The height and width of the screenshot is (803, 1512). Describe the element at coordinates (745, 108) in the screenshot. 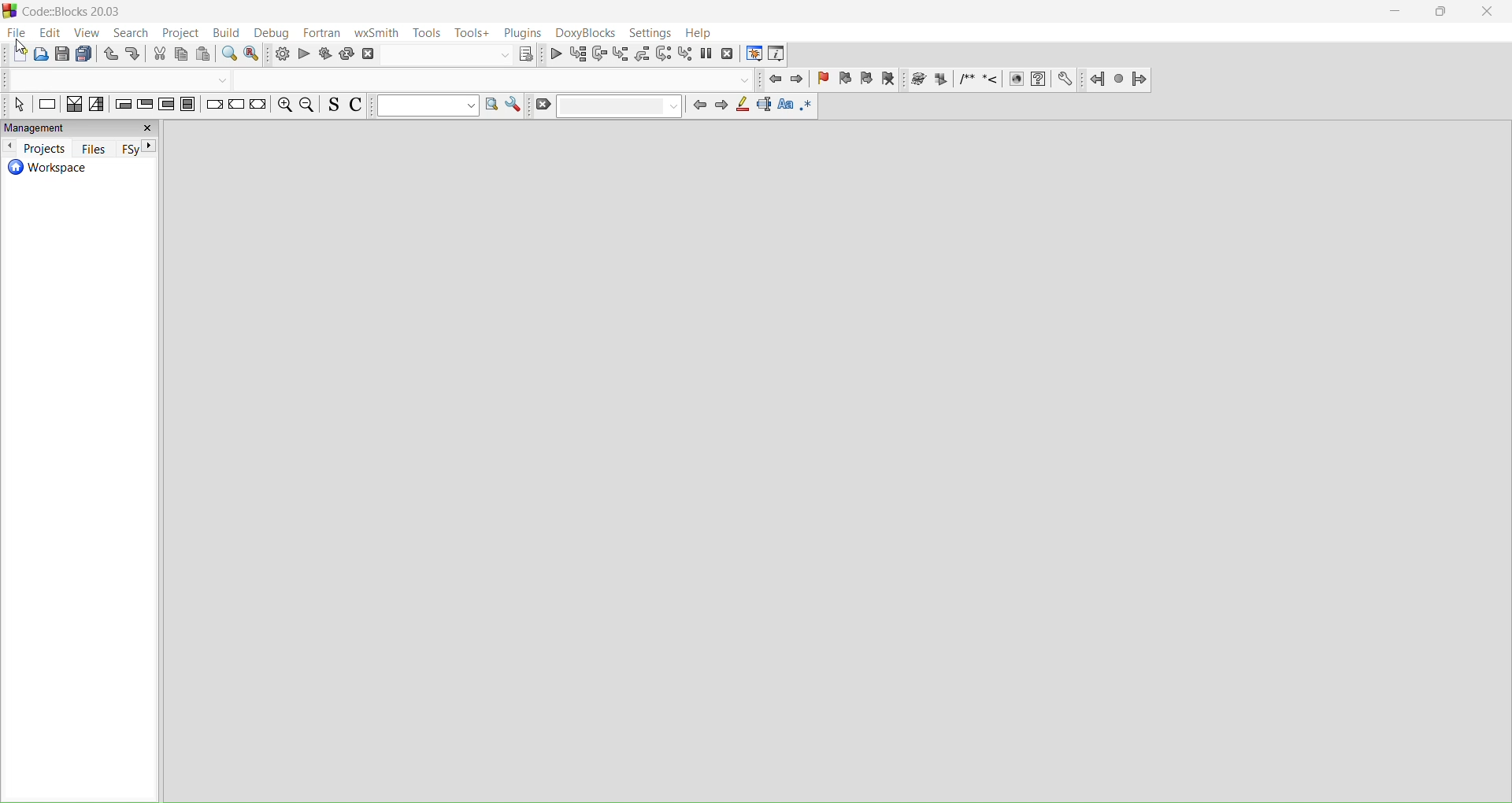

I see `highlight` at that location.